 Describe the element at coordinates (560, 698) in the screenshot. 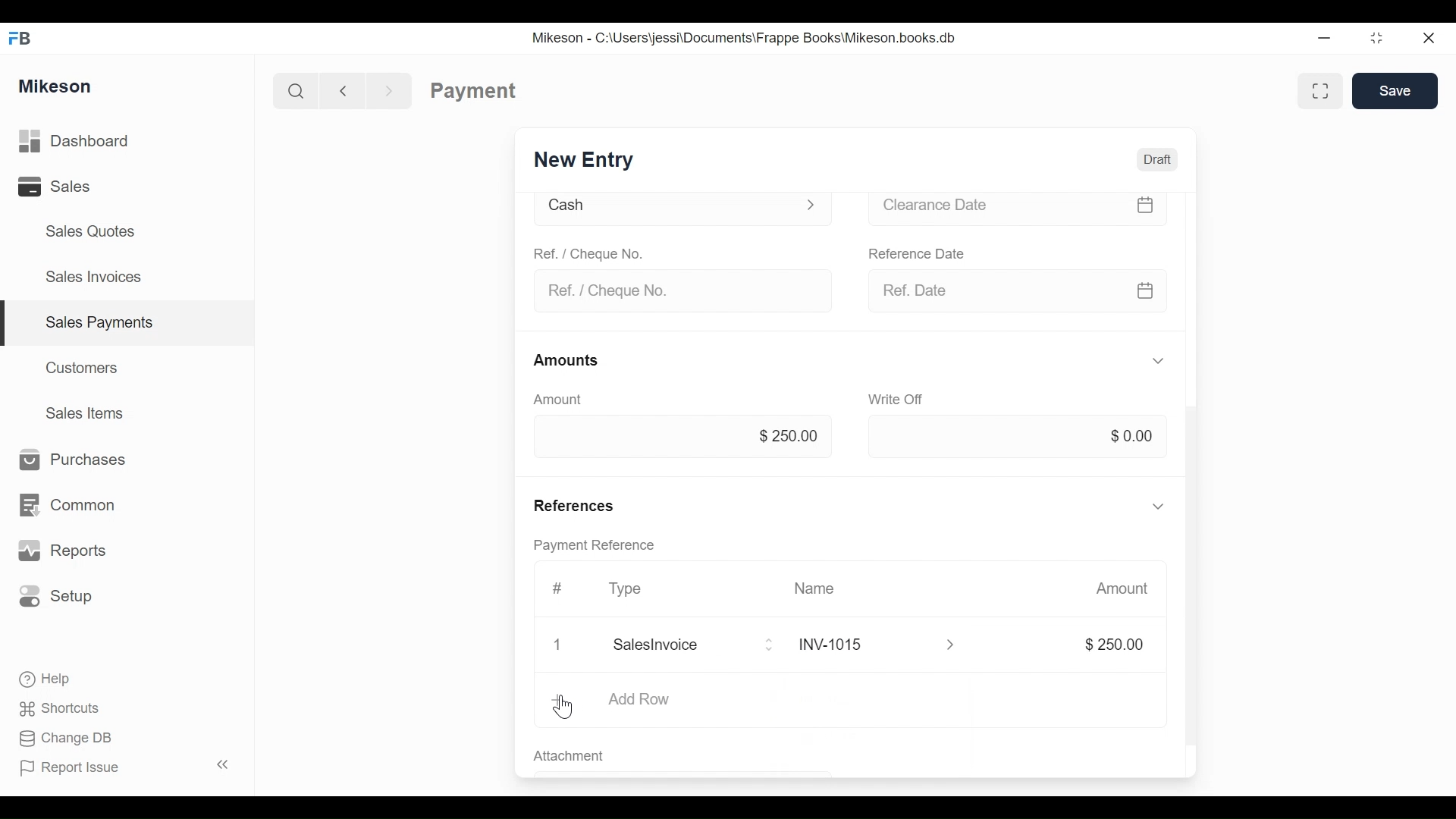

I see `Add` at that location.